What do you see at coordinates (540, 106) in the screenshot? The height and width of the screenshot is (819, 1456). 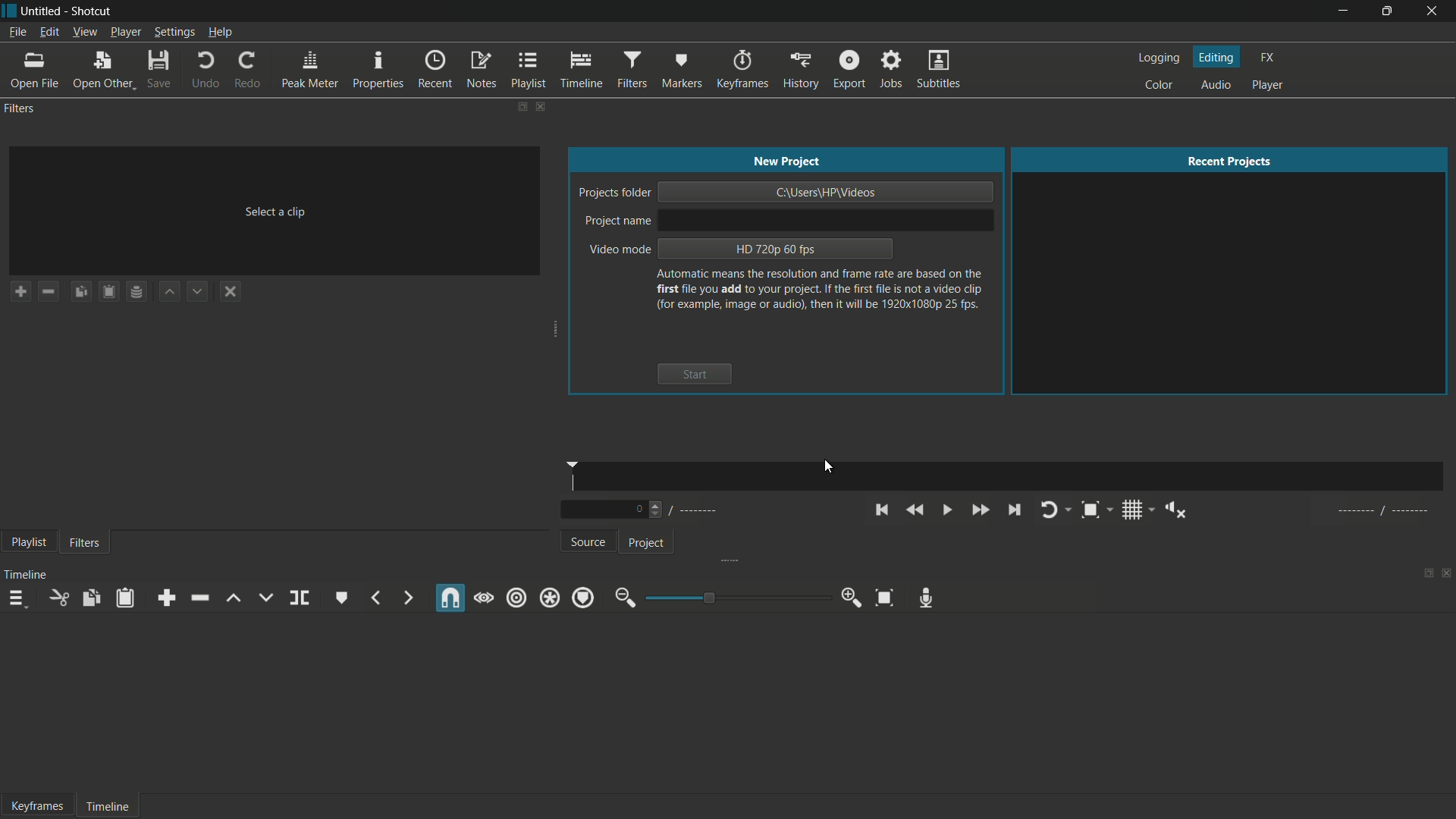 I see `close filters` at bounding box center [540, 106].